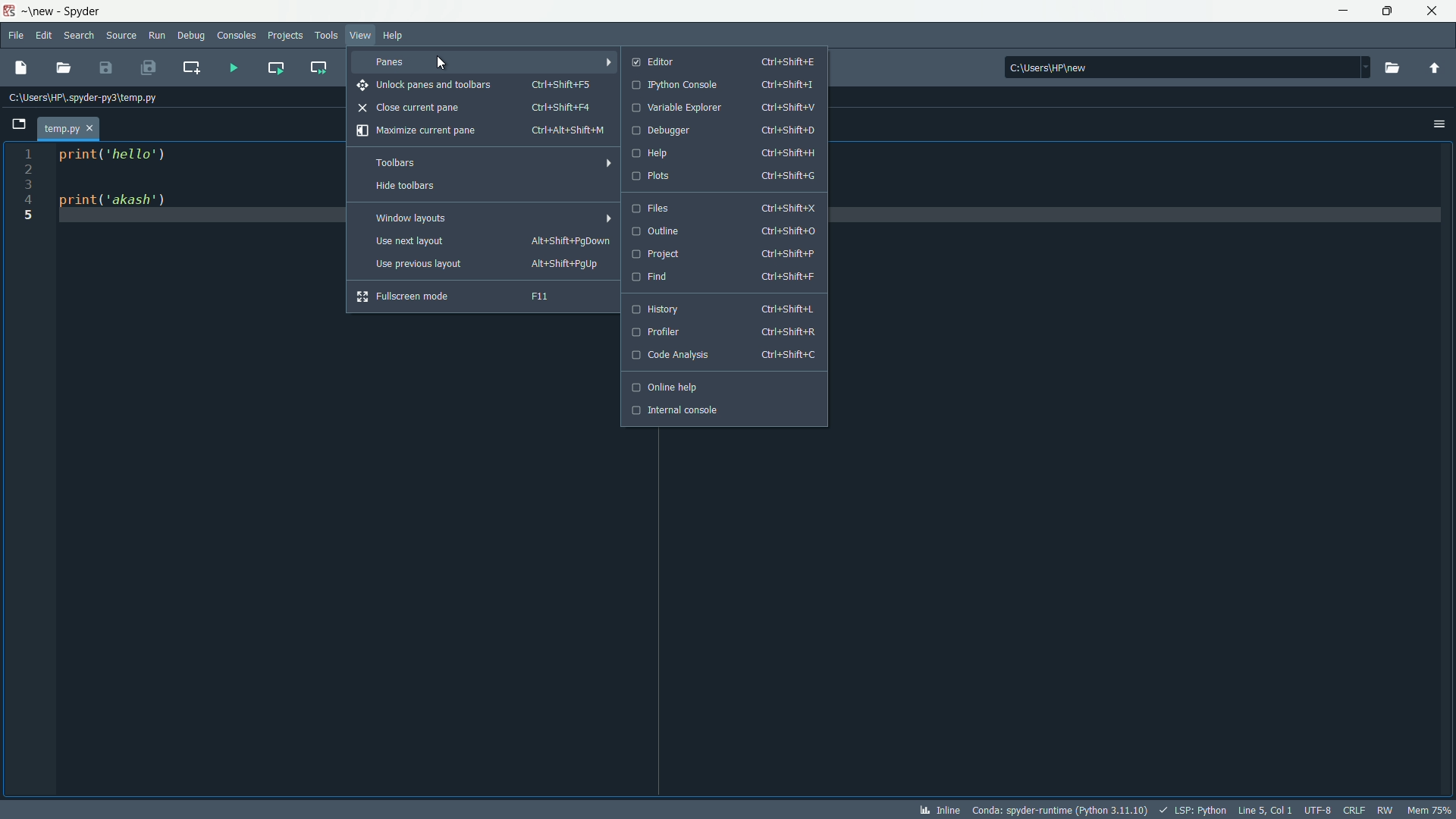 Image resolution: width=1456 pixels, height=819 pixels. Describe the element at coordinates (725, 61) in the screenshot. I see `editor` at that location.